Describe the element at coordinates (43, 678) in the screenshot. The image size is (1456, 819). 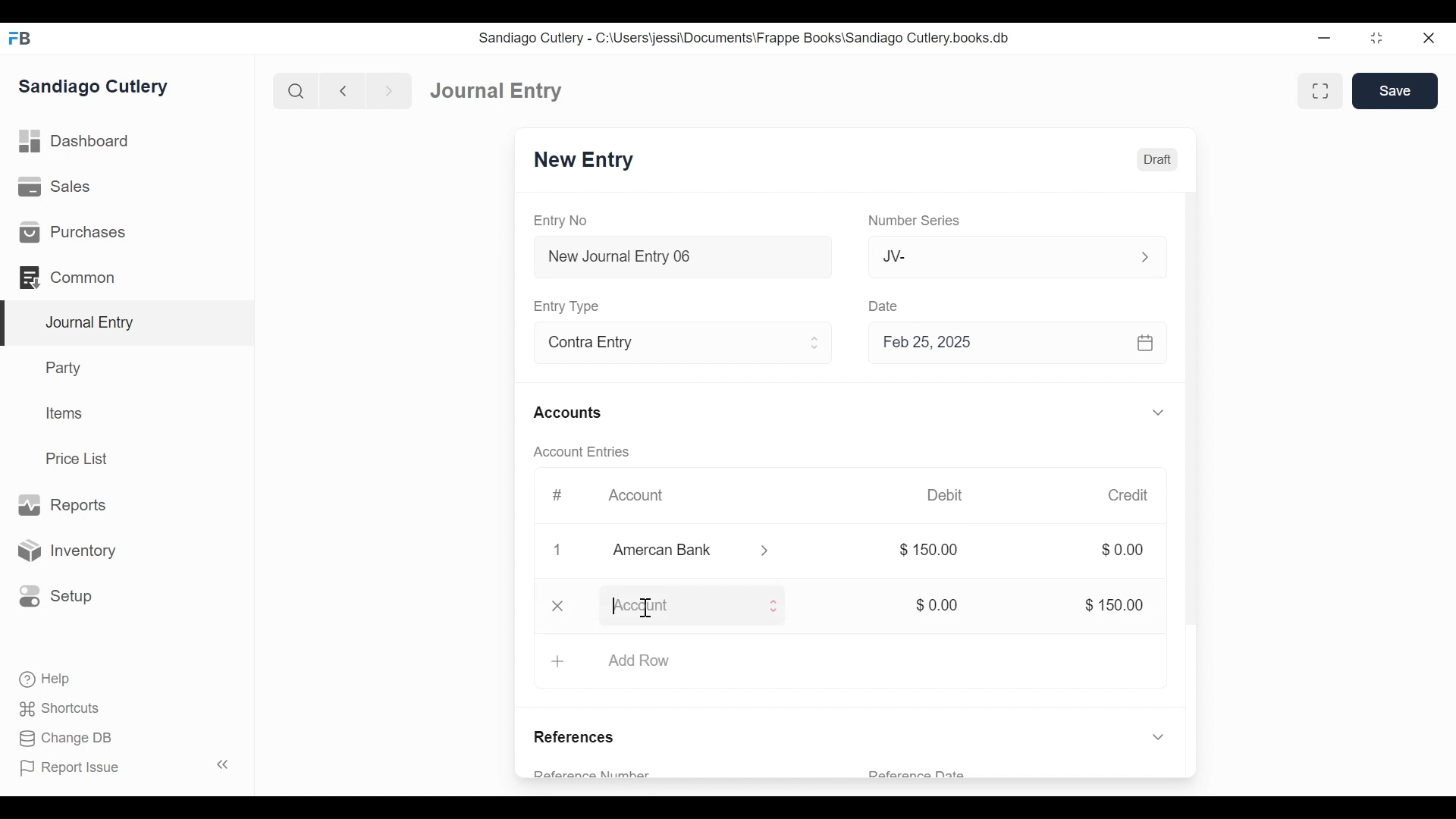
I see `Help` at that location.